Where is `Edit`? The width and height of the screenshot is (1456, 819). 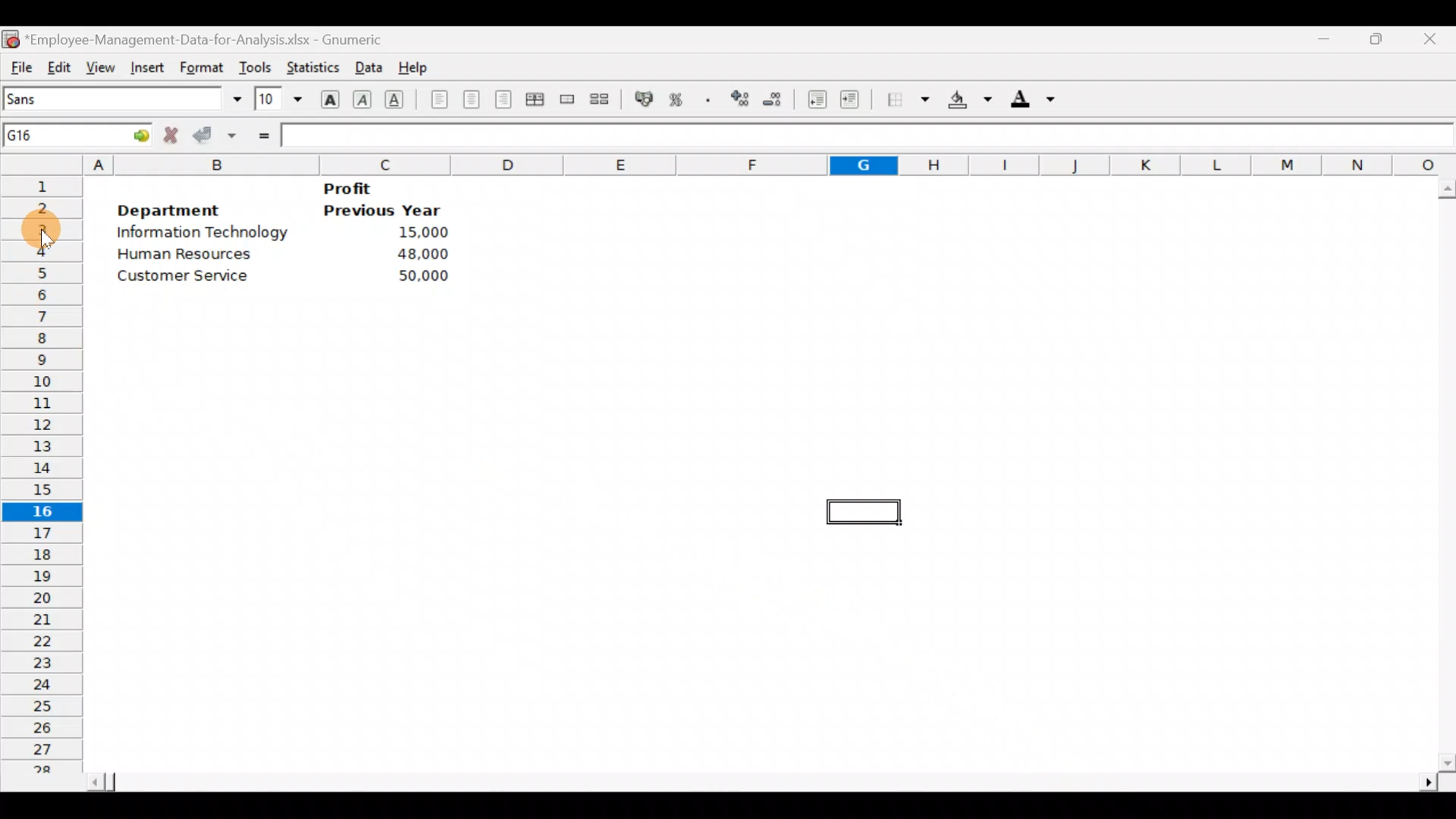
Edit is located at coordinates (58, 65).